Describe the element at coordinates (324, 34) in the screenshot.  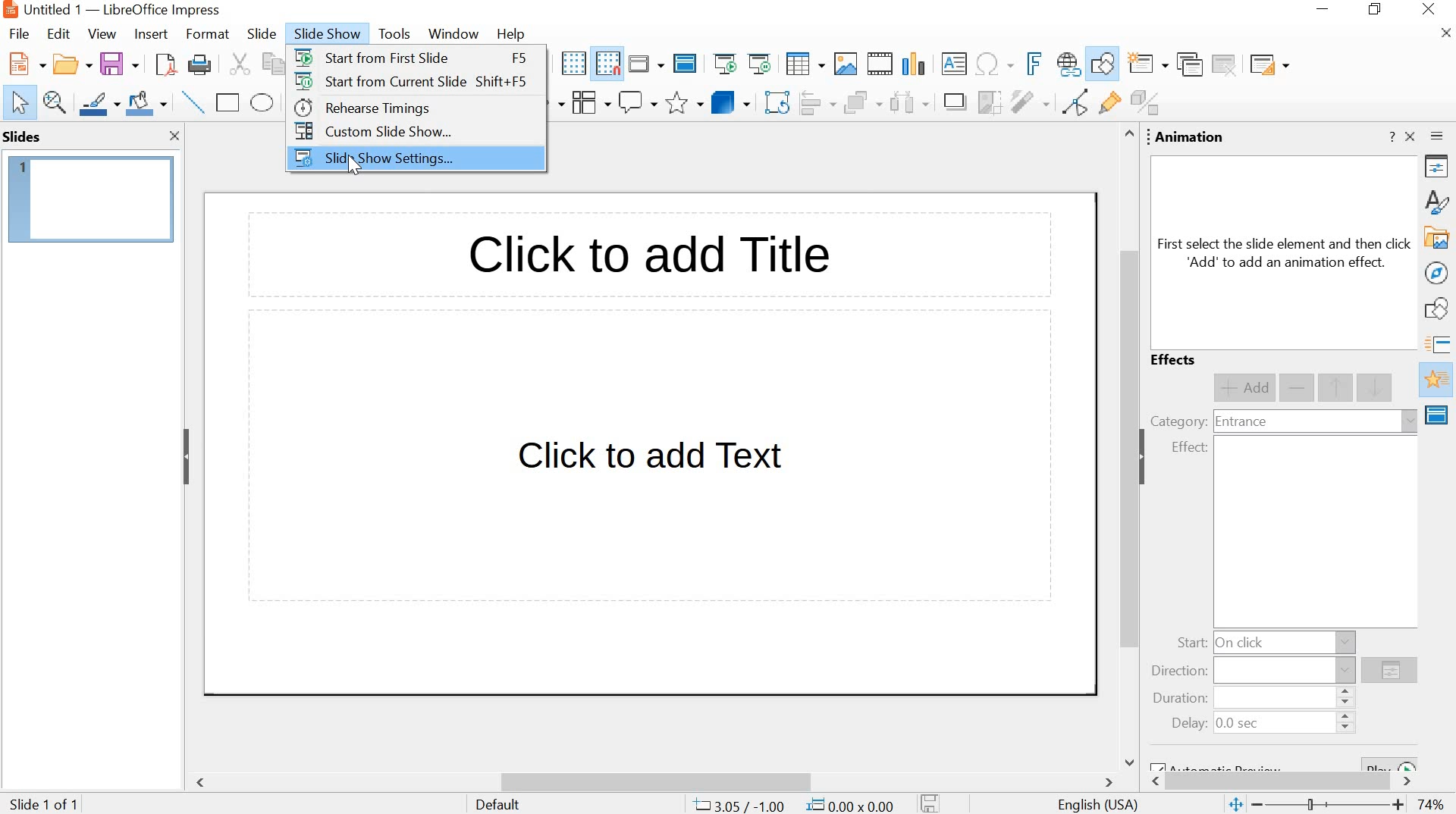
I see `slide show menu` at that location.